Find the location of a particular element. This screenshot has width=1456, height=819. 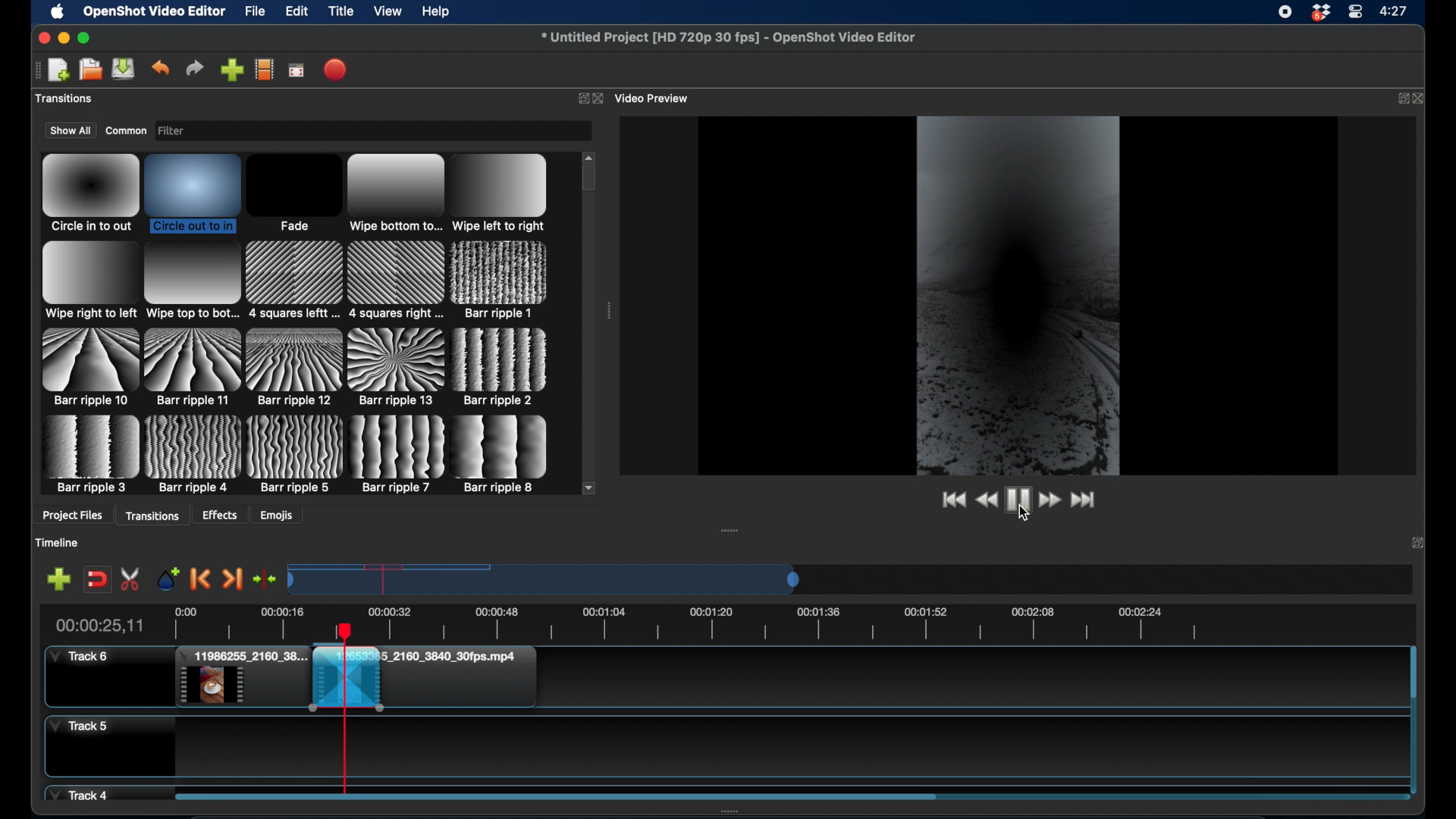

minimize is located at coordinates (63, 38).